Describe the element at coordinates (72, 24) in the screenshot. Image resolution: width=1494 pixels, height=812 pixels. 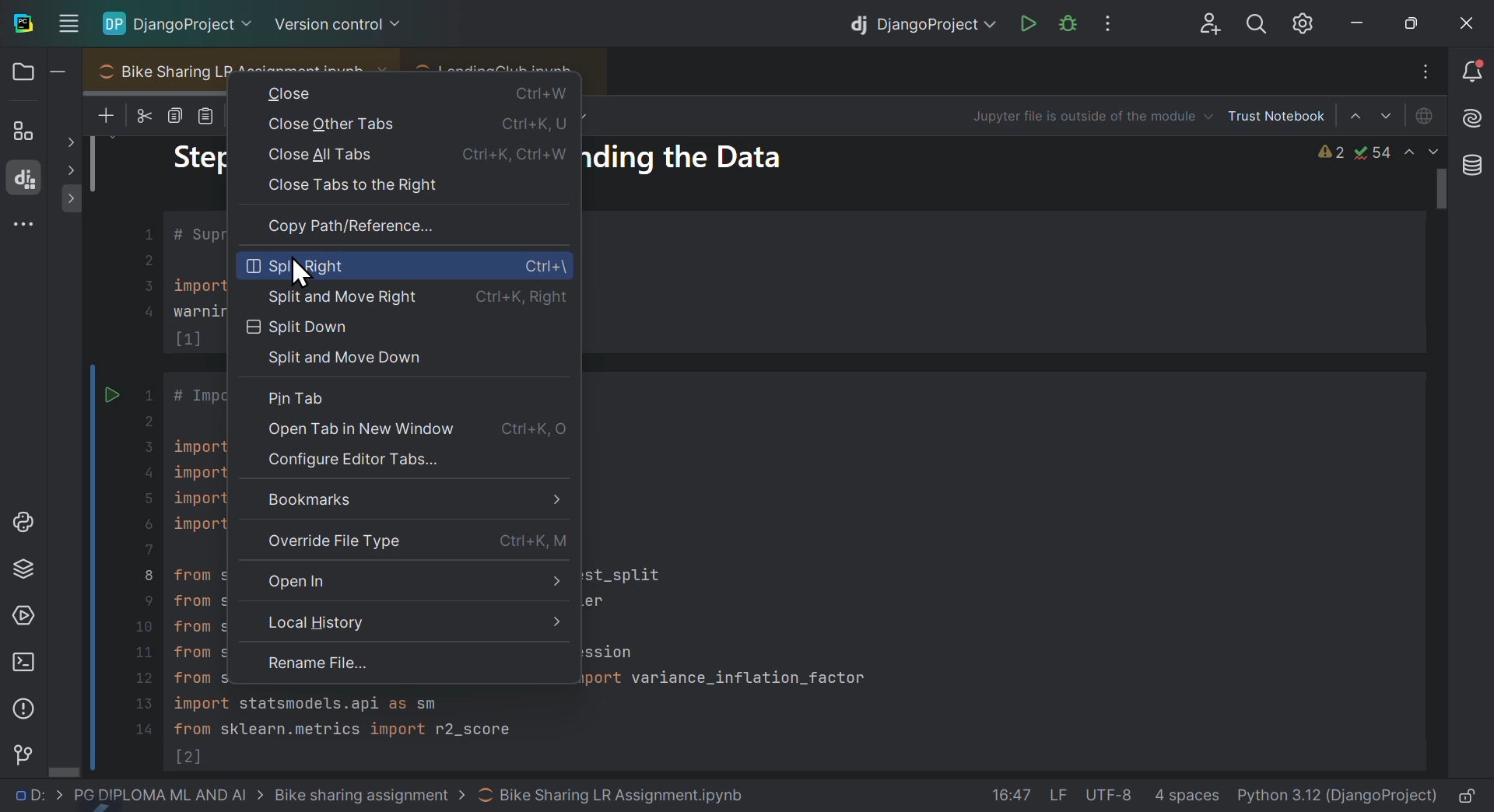
I see `` at that location.